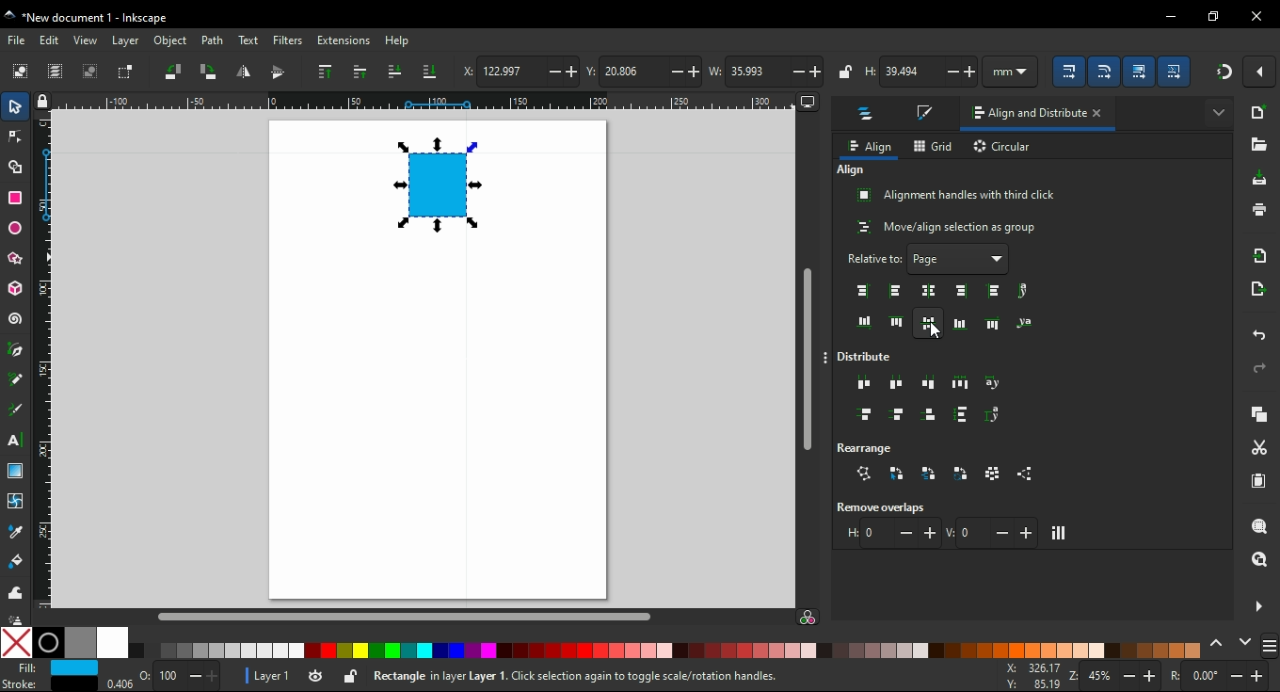 Image resolution: width=1280 pixels, height=692 pixels. I want to click on distribute horizontally with even spacing between right edges, so click(931, 382).